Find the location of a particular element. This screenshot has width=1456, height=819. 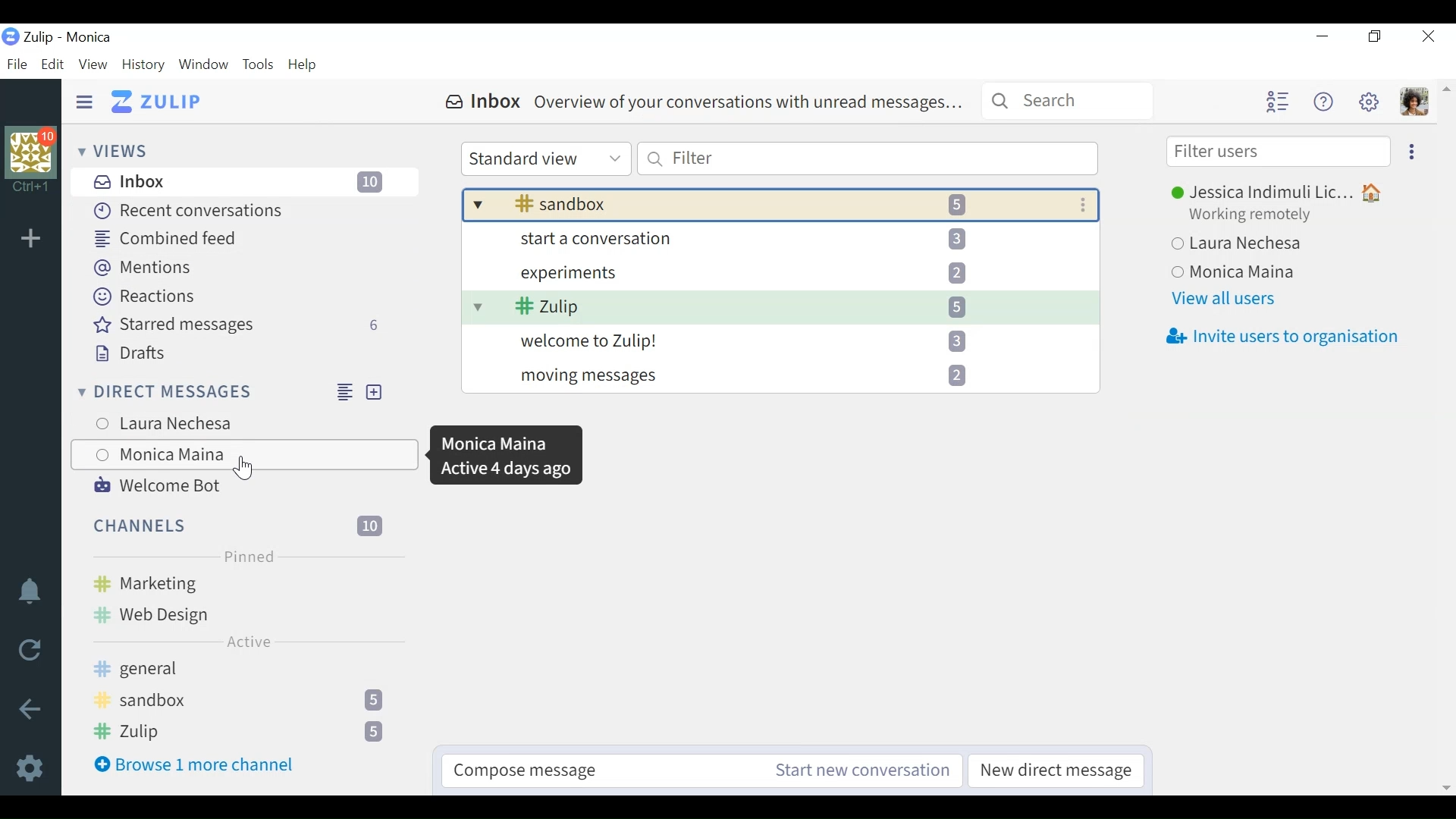

Ctrl+1 shortcut is located at coordinates (31, 187).